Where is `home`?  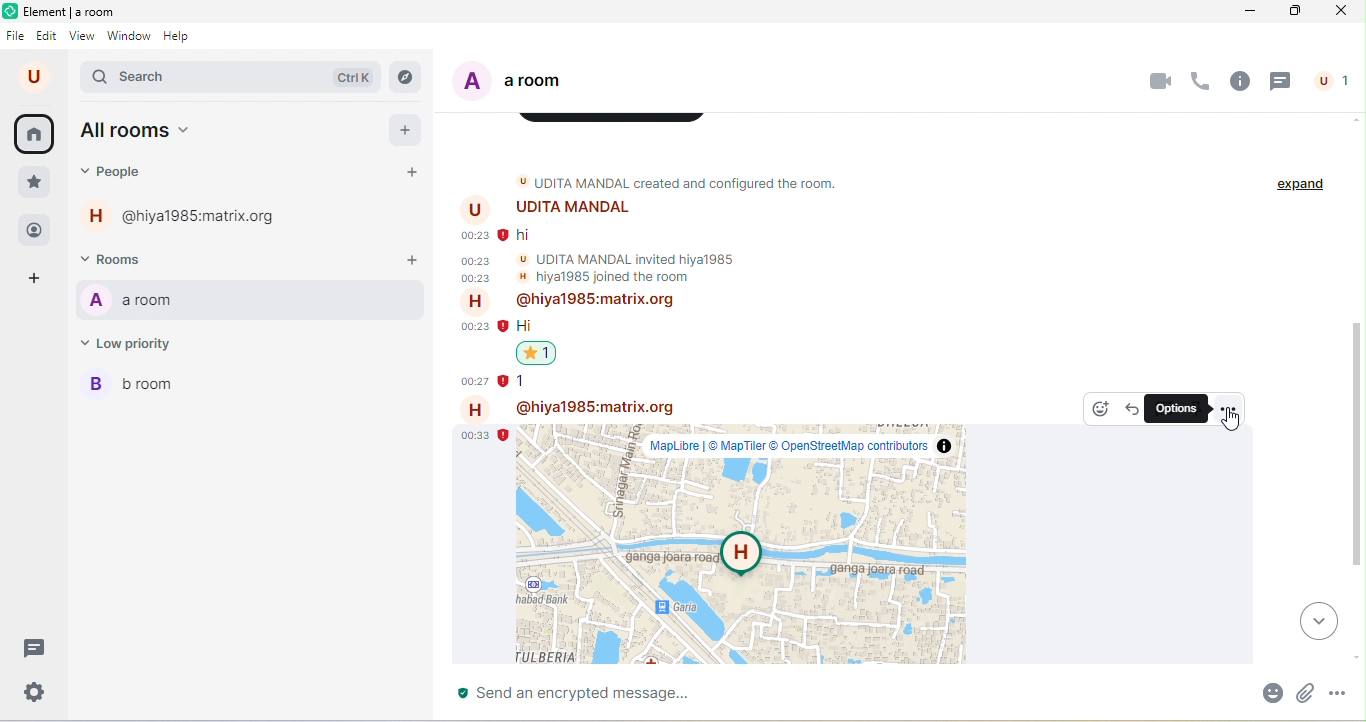
home is located at coordinates (34, 134).